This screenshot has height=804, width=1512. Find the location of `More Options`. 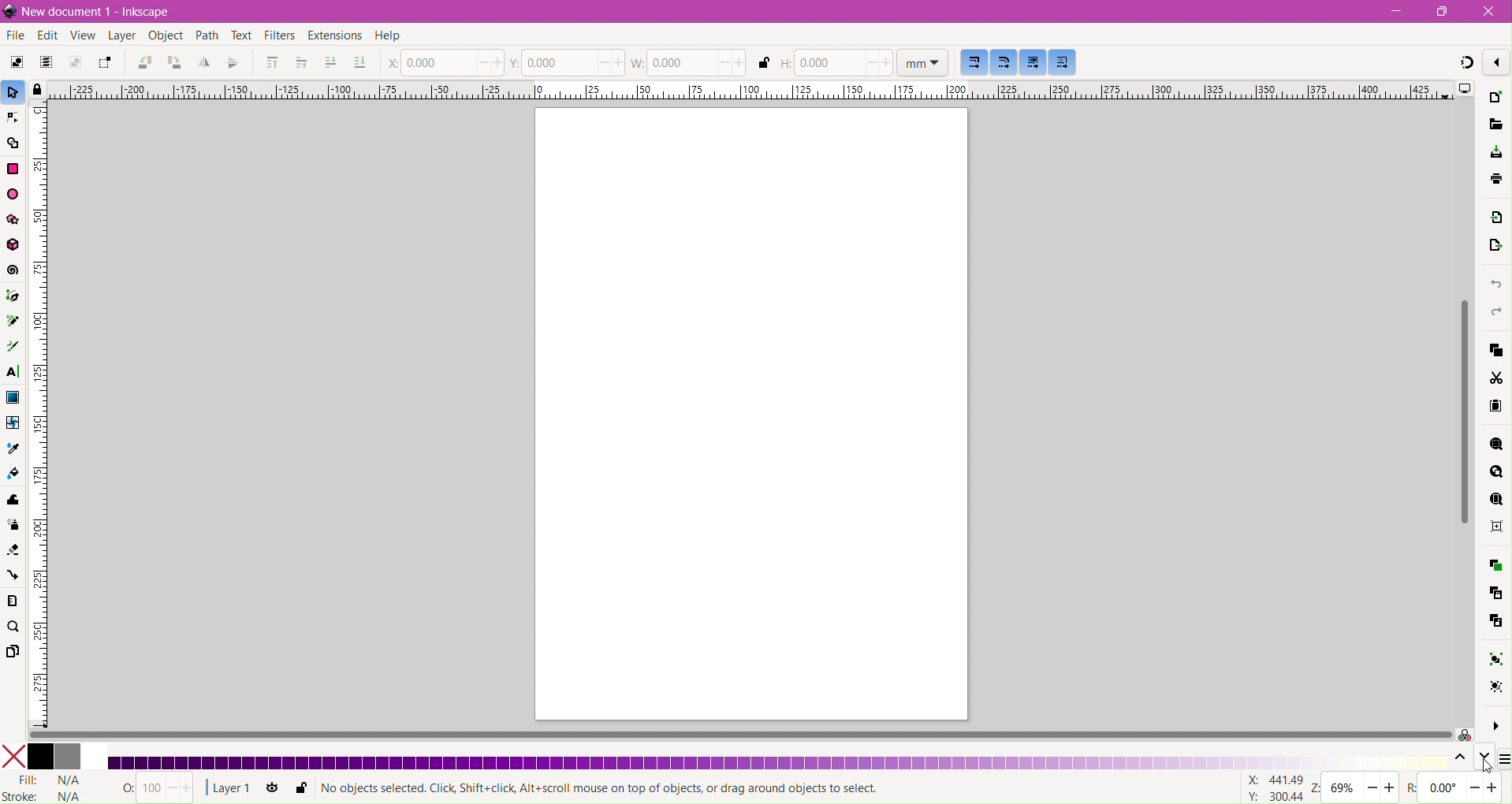

More Options is located at coordinates (1493, 724).